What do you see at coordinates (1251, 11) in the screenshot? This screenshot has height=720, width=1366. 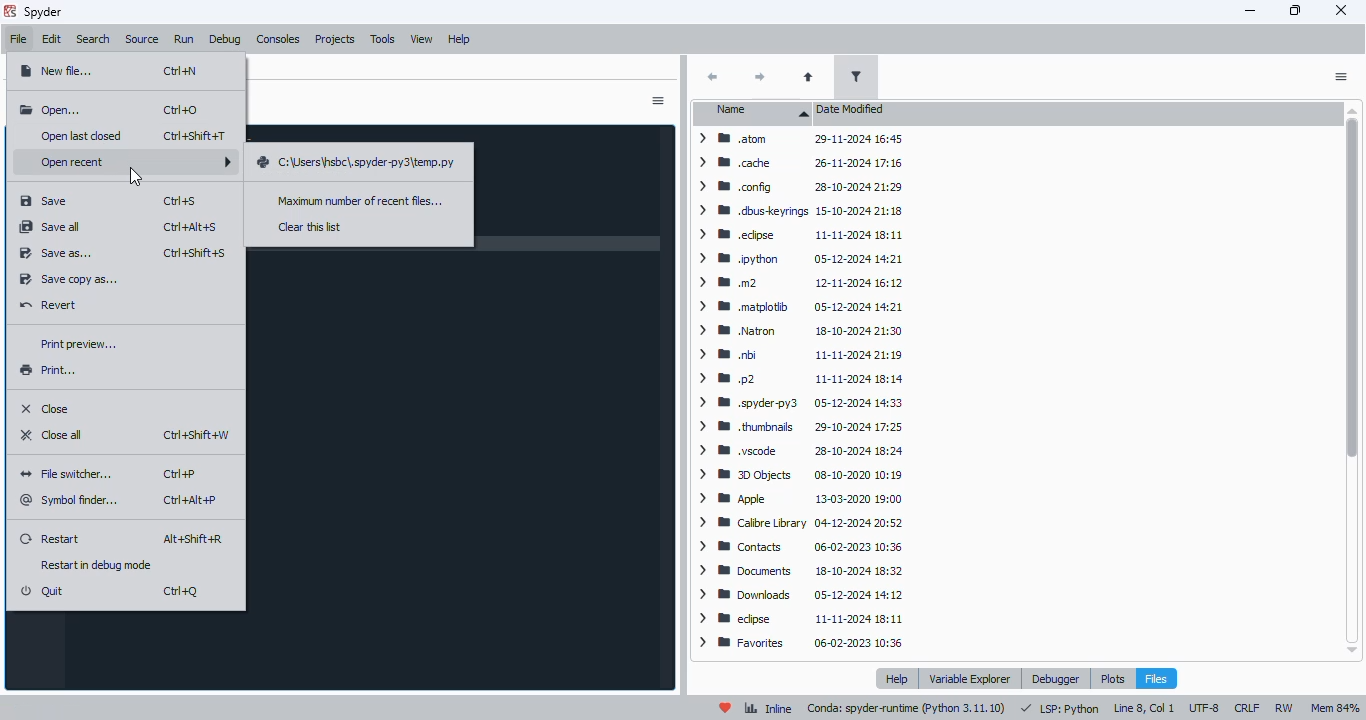 I see `minimize` at bounding box center [1251, 11].